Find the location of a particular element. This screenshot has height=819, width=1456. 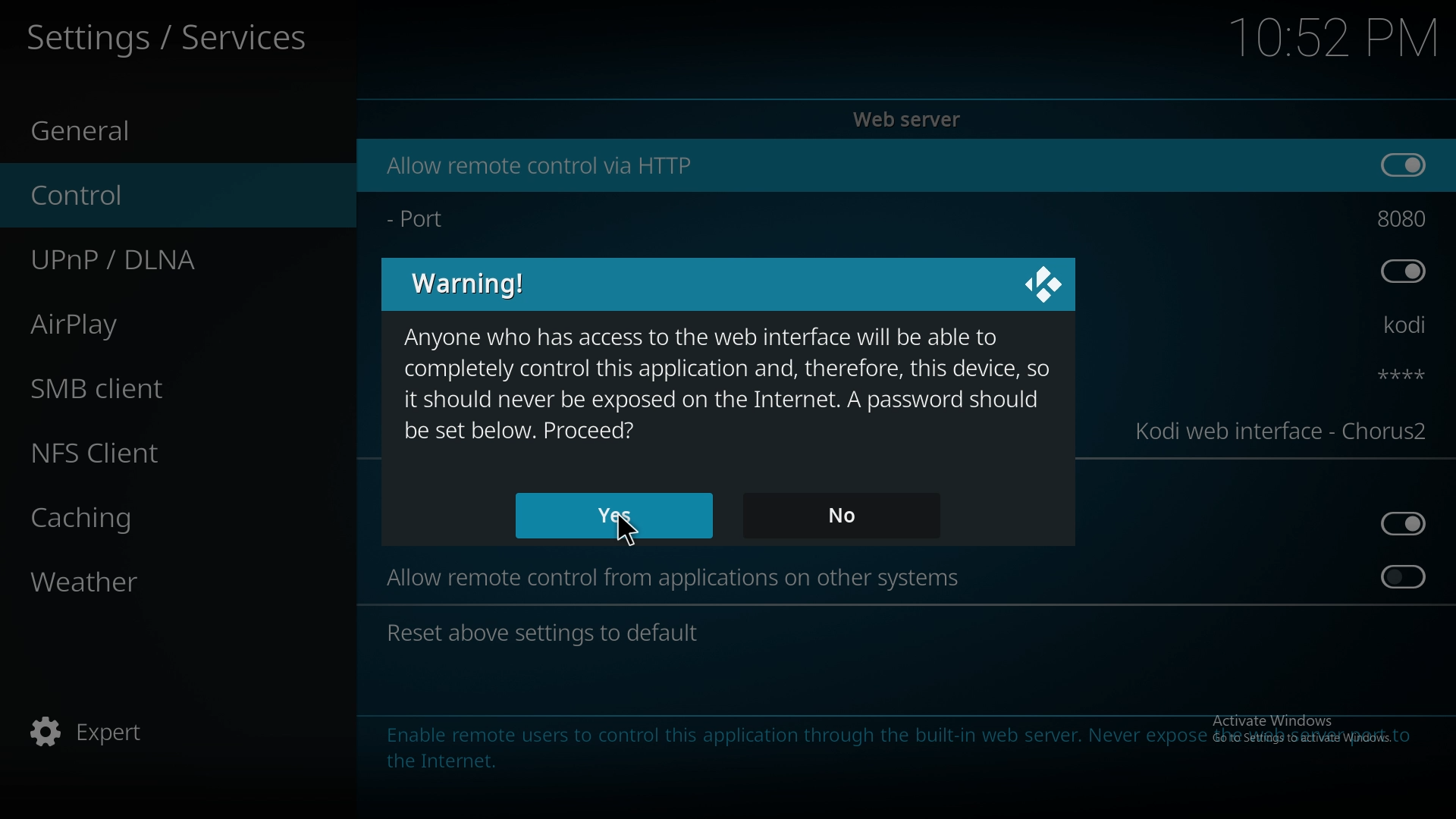

caching is located at coordinates (155, 514).